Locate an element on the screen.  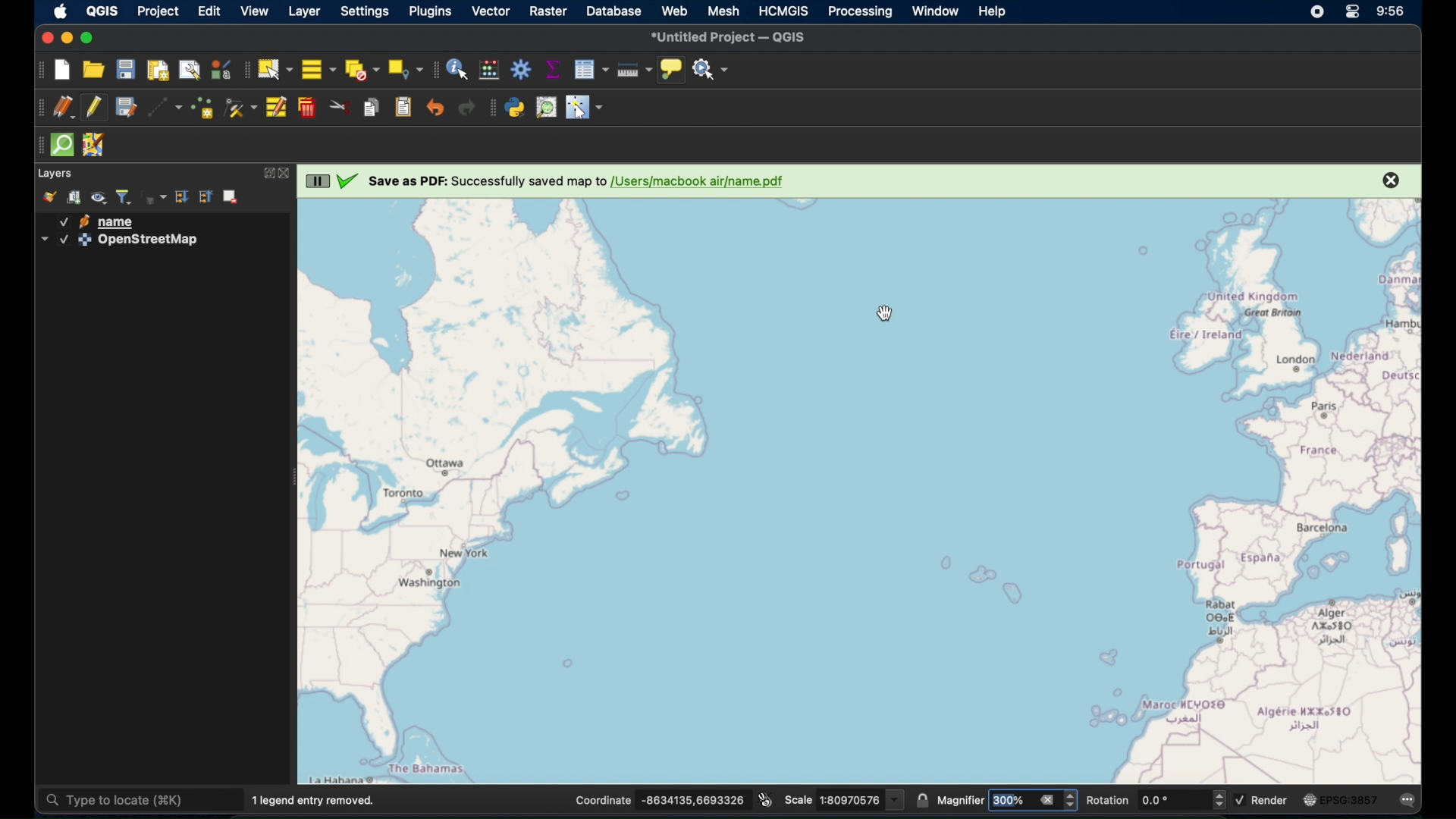
openstreetmap is located at coordinates (120, 242).